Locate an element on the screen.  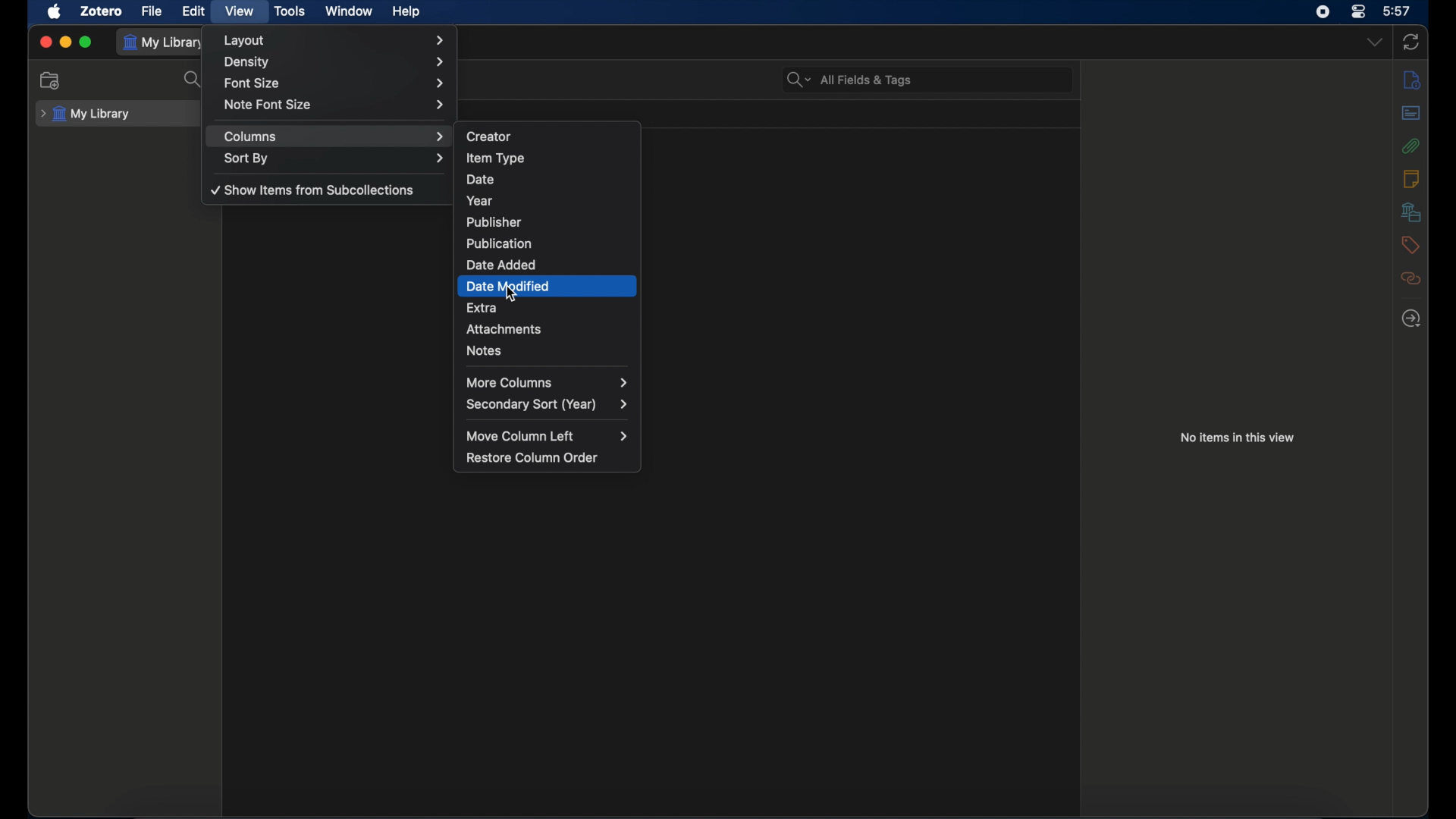
maximize is located at coordinates (86, 42).